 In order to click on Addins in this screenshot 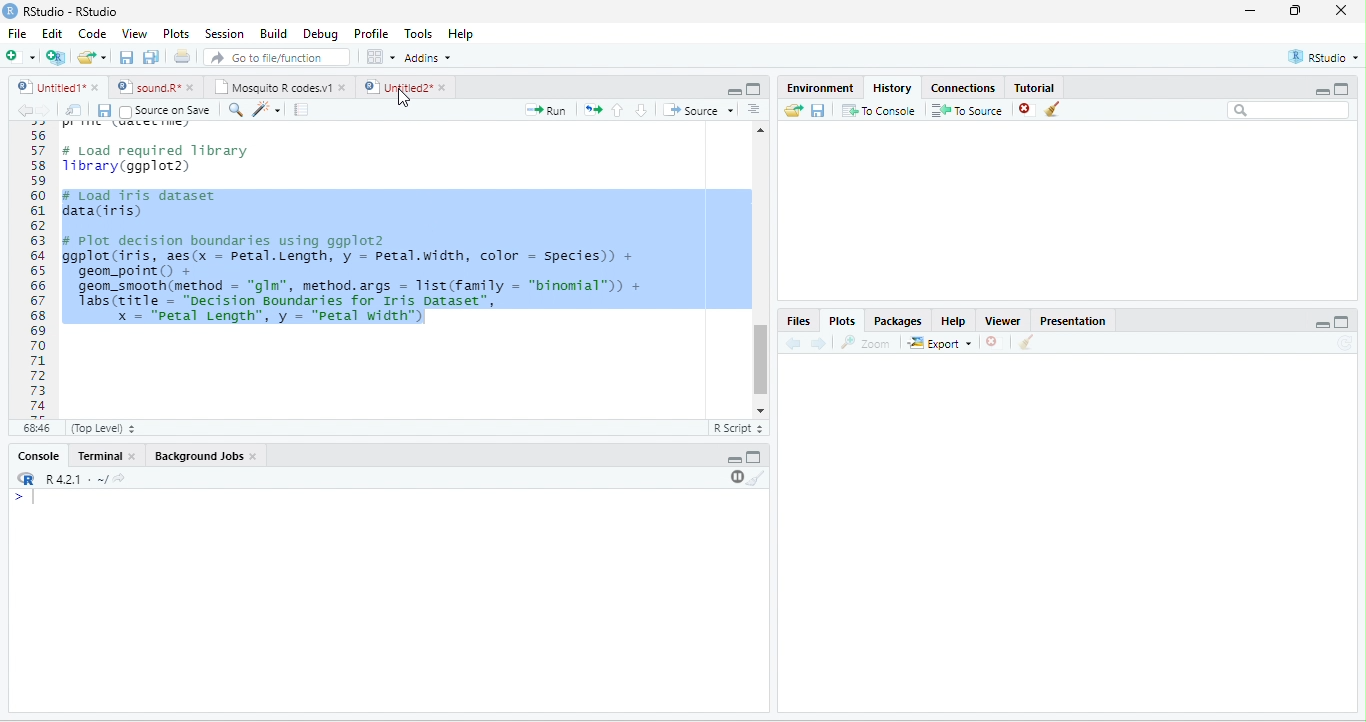, I will do `click(428, 58)`.